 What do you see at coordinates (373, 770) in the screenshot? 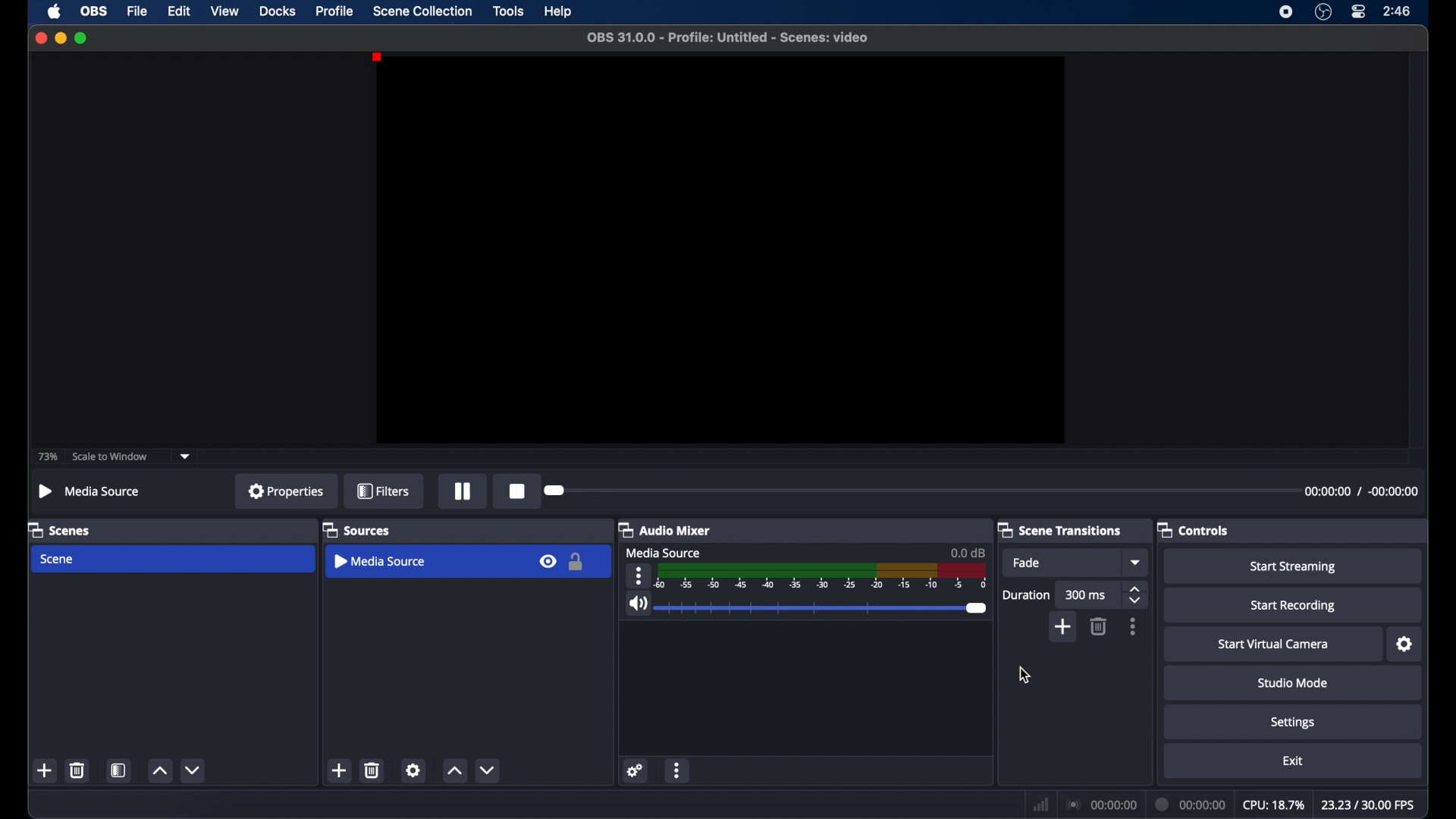
I see `delete` at bounding box center [373, 770].